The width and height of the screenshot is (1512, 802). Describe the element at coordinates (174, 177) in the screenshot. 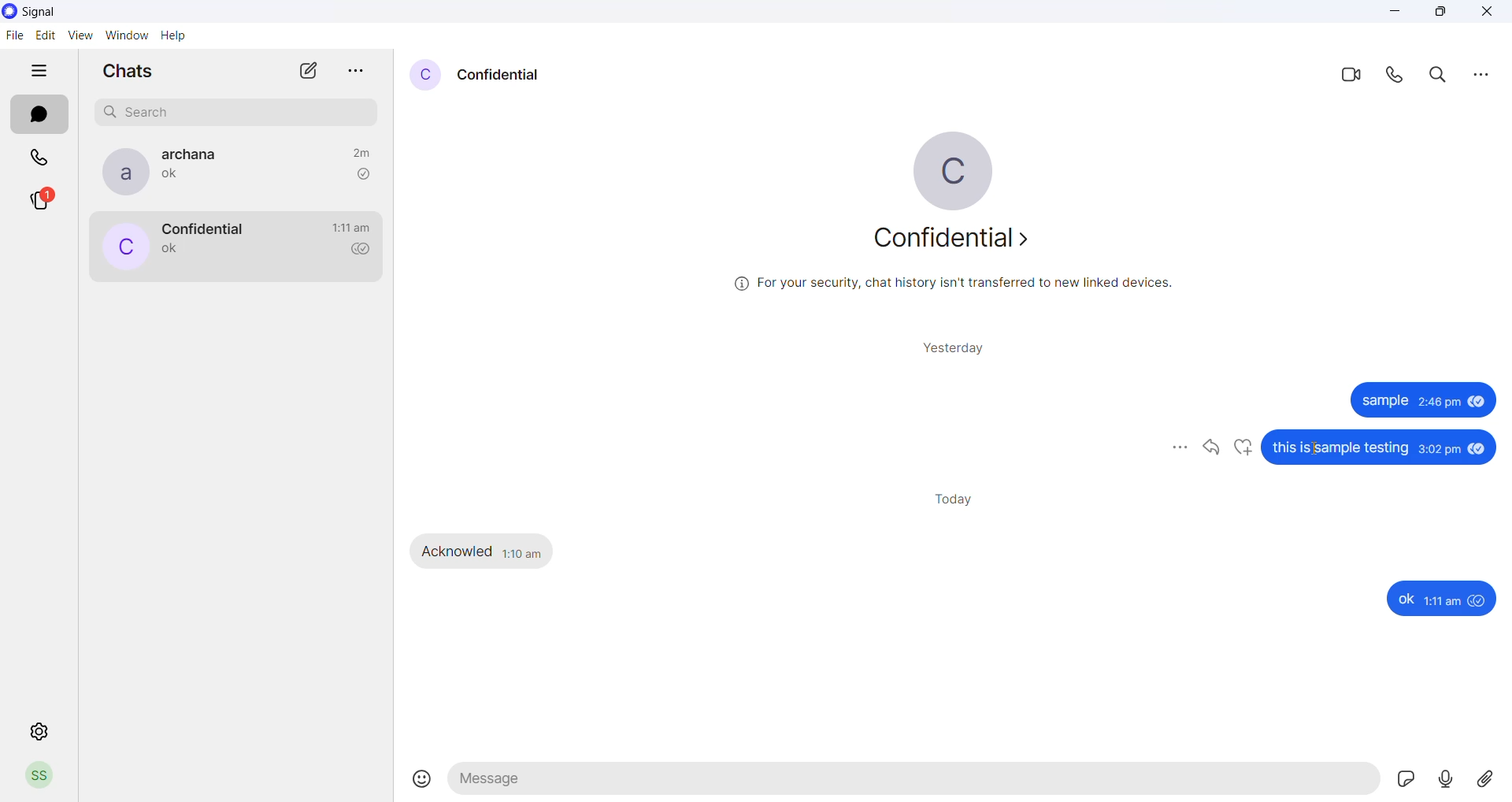

I see `last message` at that location.